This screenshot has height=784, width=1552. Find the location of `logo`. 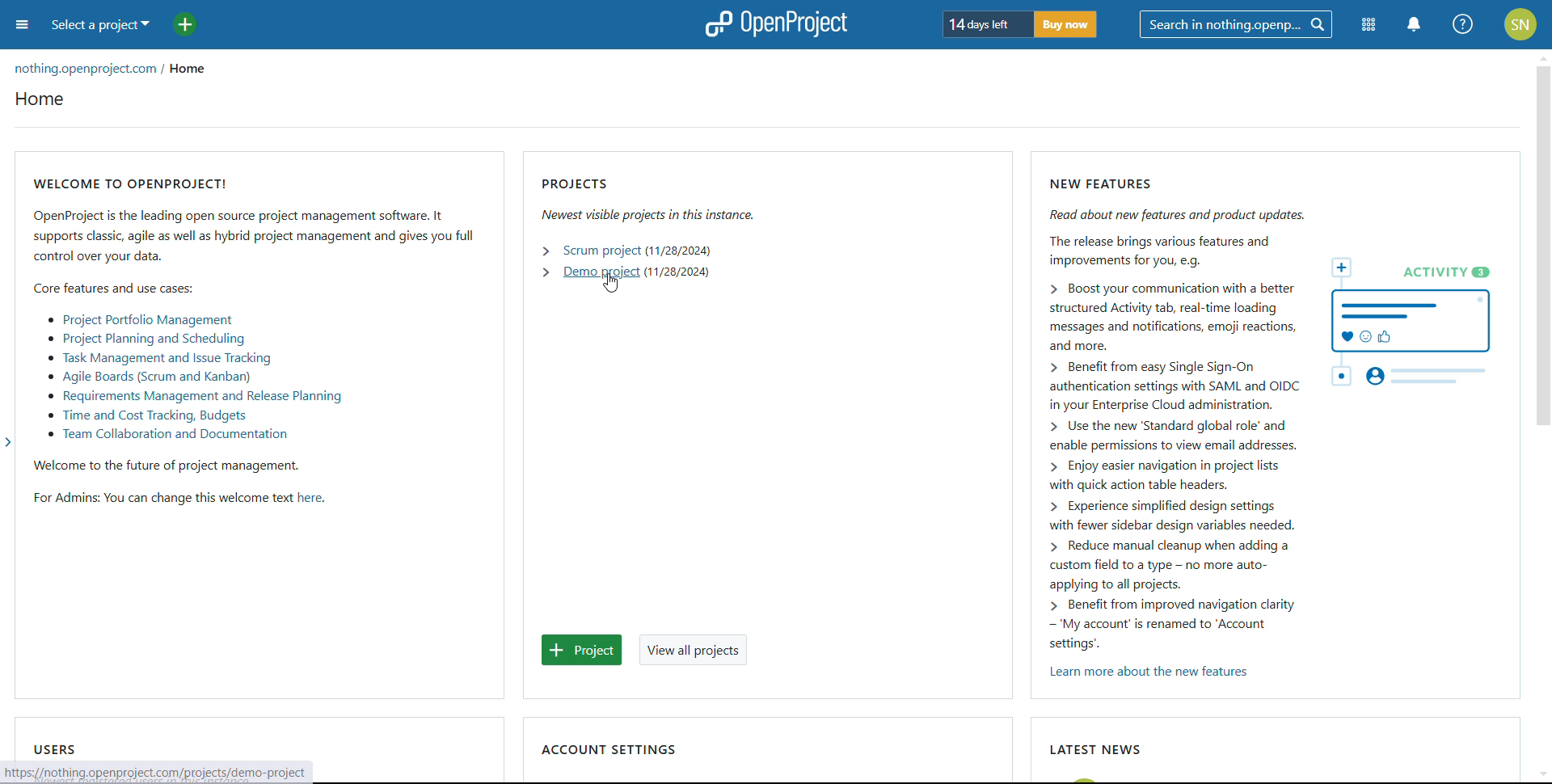

logo is located at coordinates (774, 24).